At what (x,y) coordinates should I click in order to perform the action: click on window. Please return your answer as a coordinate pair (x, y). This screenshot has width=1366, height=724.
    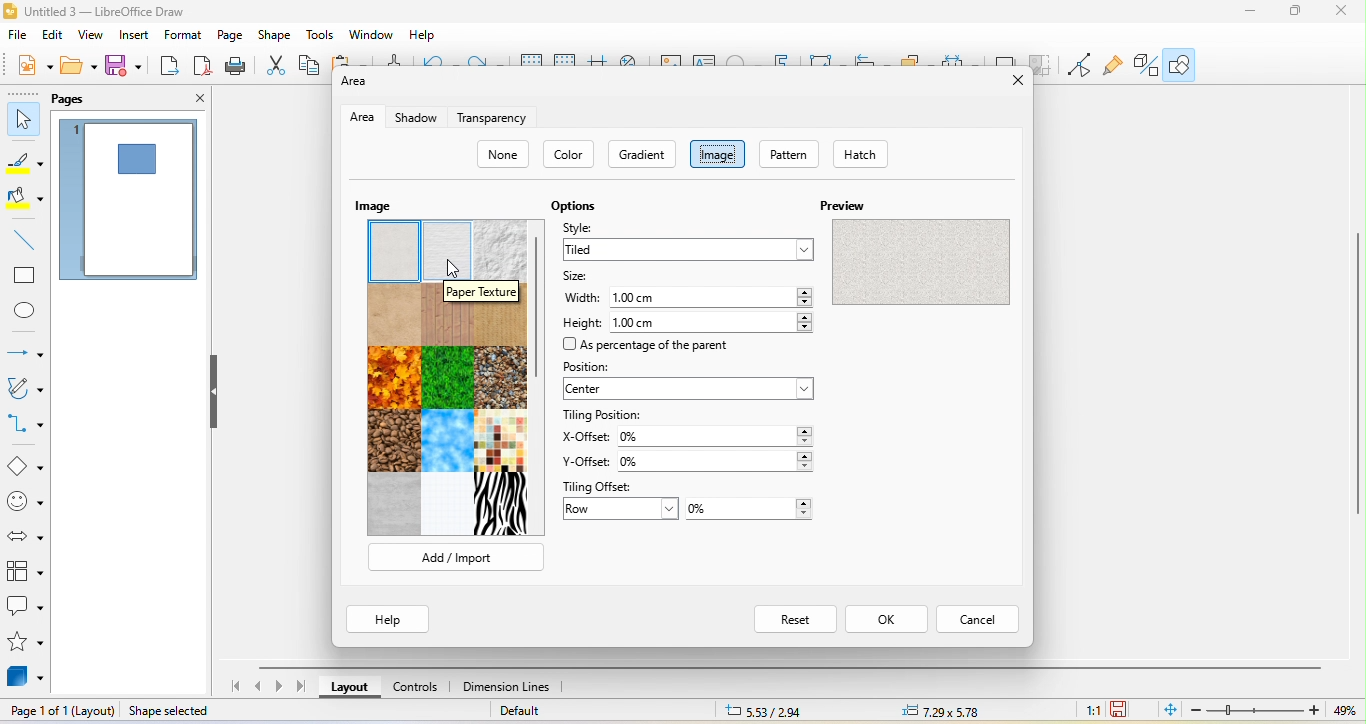
    Looking at the image, I should click on (374, 37).